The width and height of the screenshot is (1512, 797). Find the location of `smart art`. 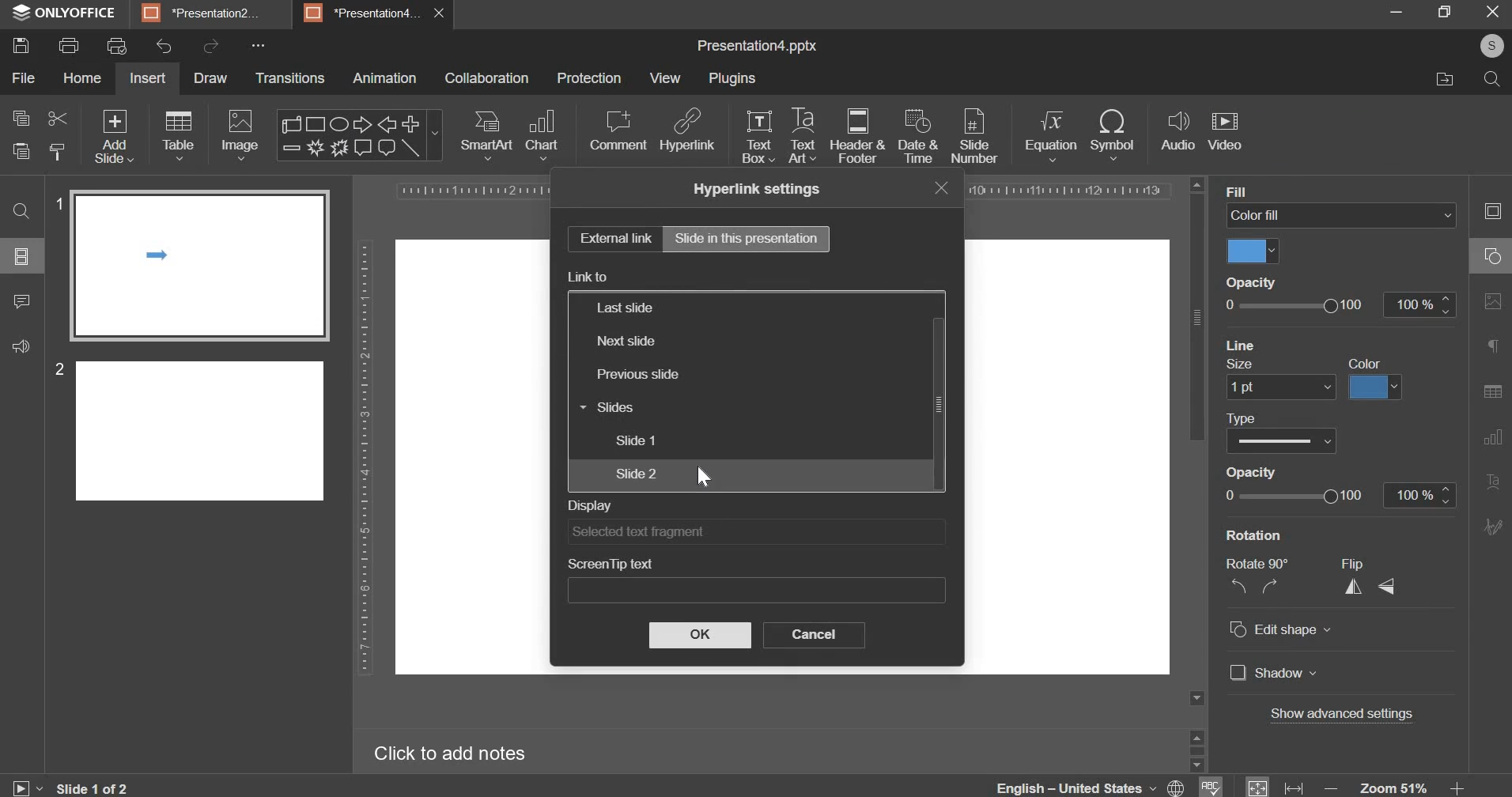

smart art is located at coordinates (488, 136).